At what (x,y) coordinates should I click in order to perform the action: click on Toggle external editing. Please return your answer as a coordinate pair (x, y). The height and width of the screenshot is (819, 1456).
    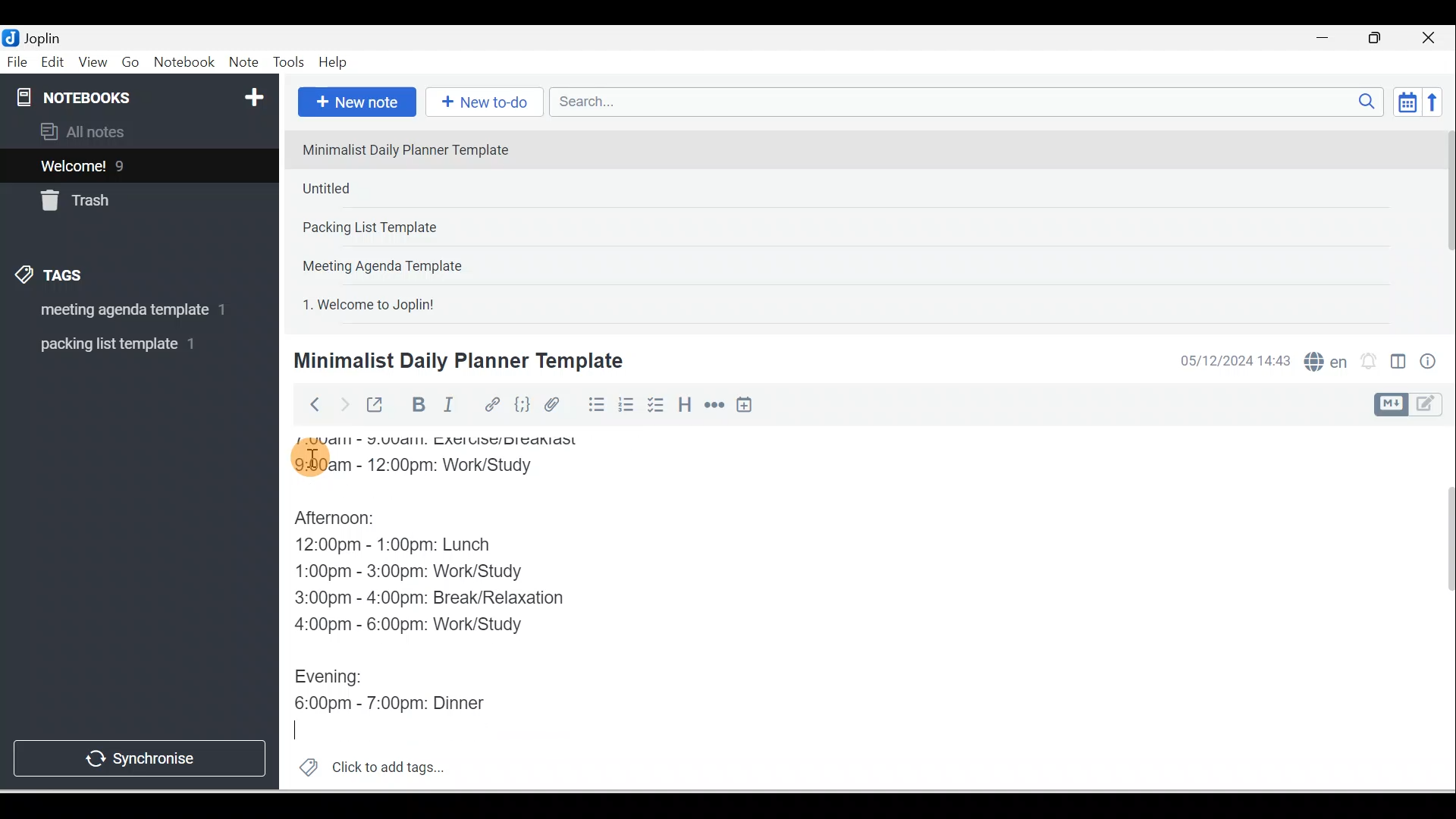
    Looking at the image, I should click on (377, 408).